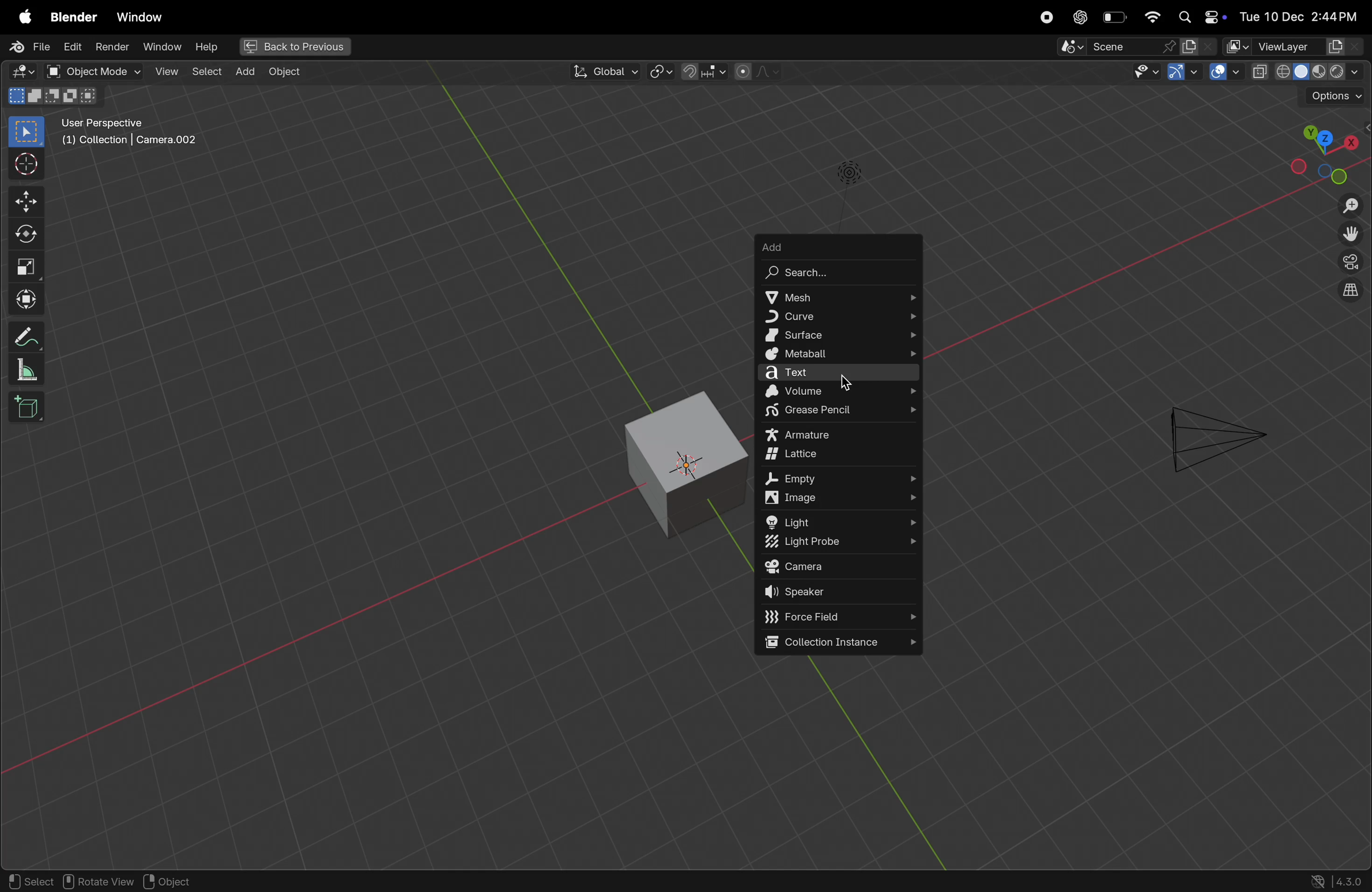  What do you see at coordinates (839, 273) in the screenshot?
I see `Search` at bounding box center [839, 273].